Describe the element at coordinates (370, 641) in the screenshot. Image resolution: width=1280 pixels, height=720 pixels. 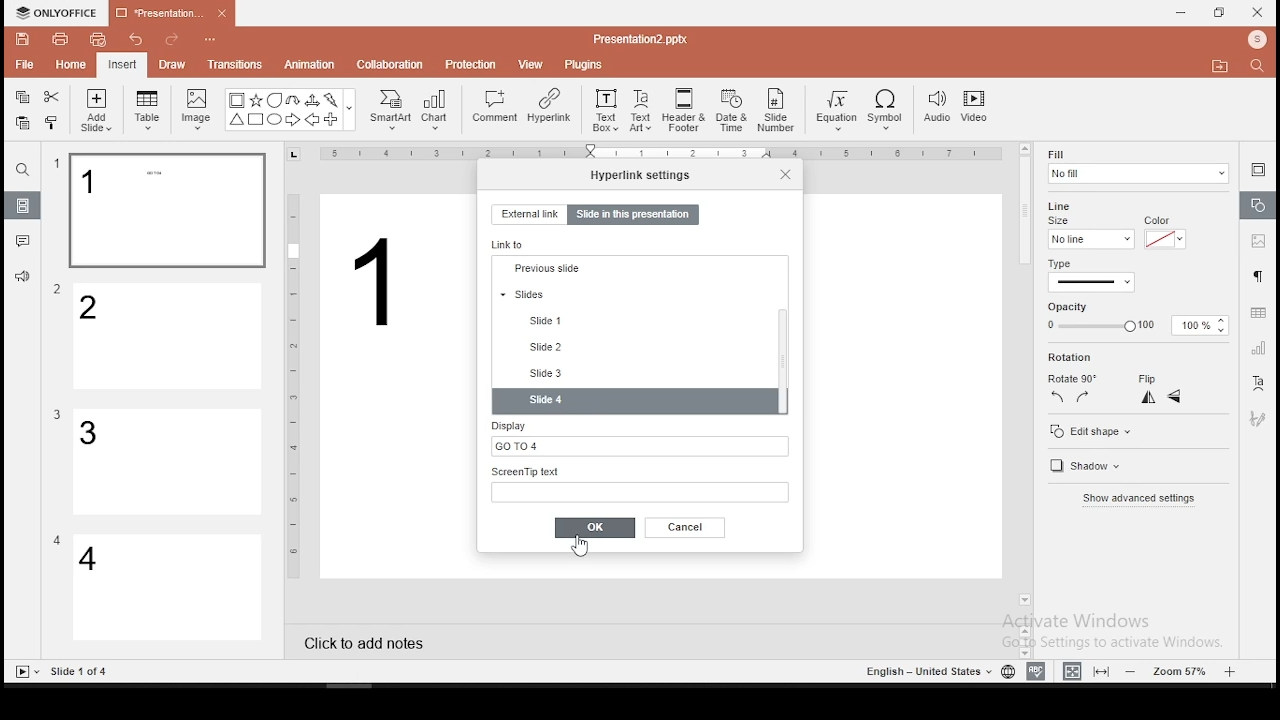
I see `click to add notes` at that location.